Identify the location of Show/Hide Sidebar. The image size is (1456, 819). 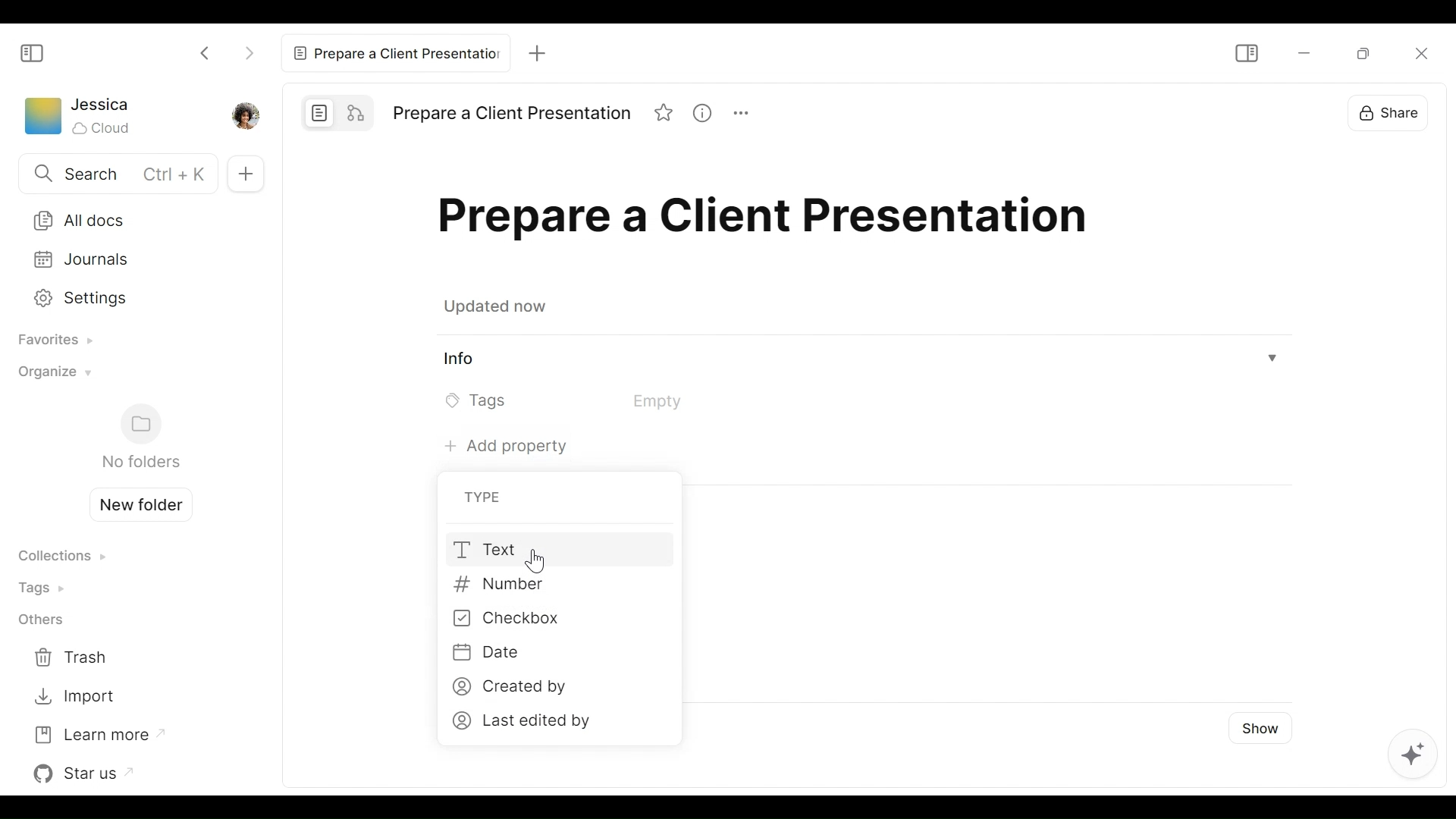
(1245, 53).